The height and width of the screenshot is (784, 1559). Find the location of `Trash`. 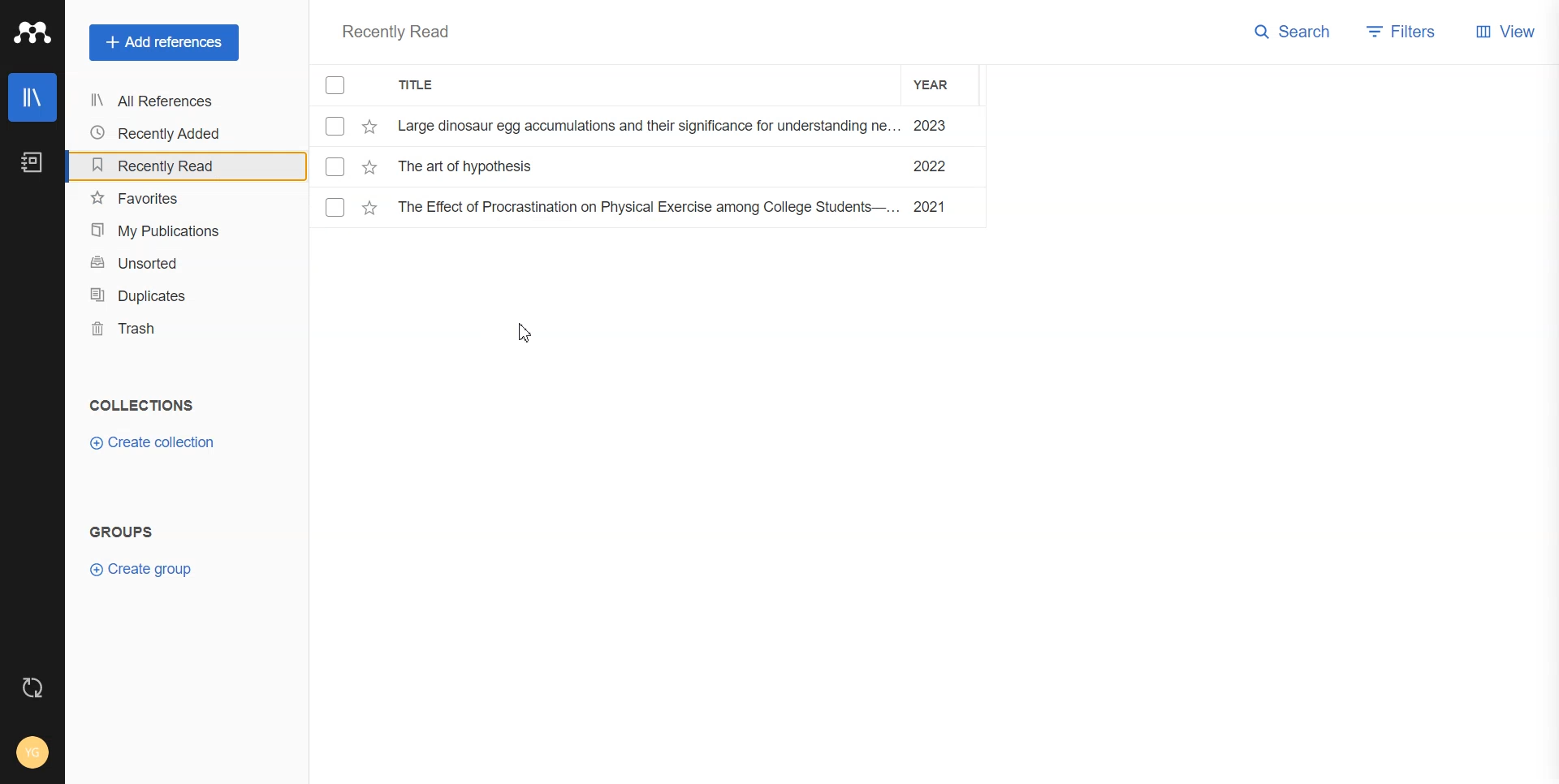

Trash is located at coordinates (170, 330).